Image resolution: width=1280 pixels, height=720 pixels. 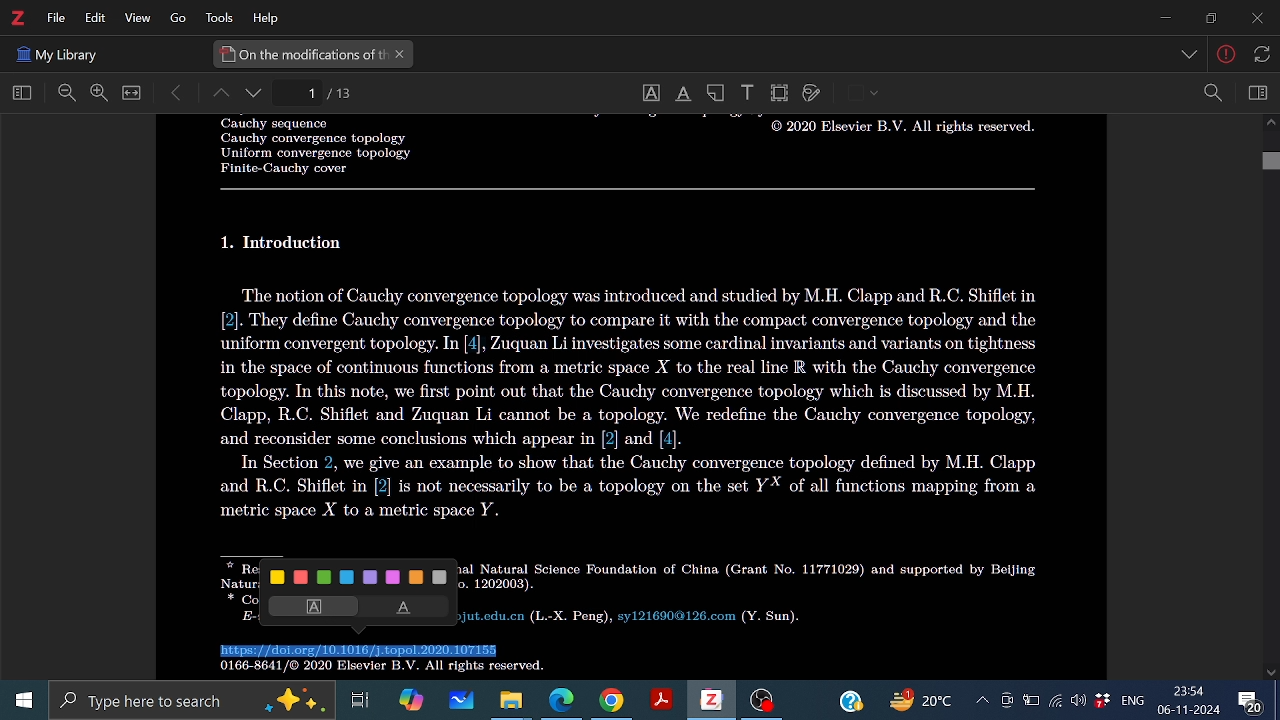 What do you see at coordinates (638, 403) in the screenshot?
I see `` at bounding box center [638, 403].